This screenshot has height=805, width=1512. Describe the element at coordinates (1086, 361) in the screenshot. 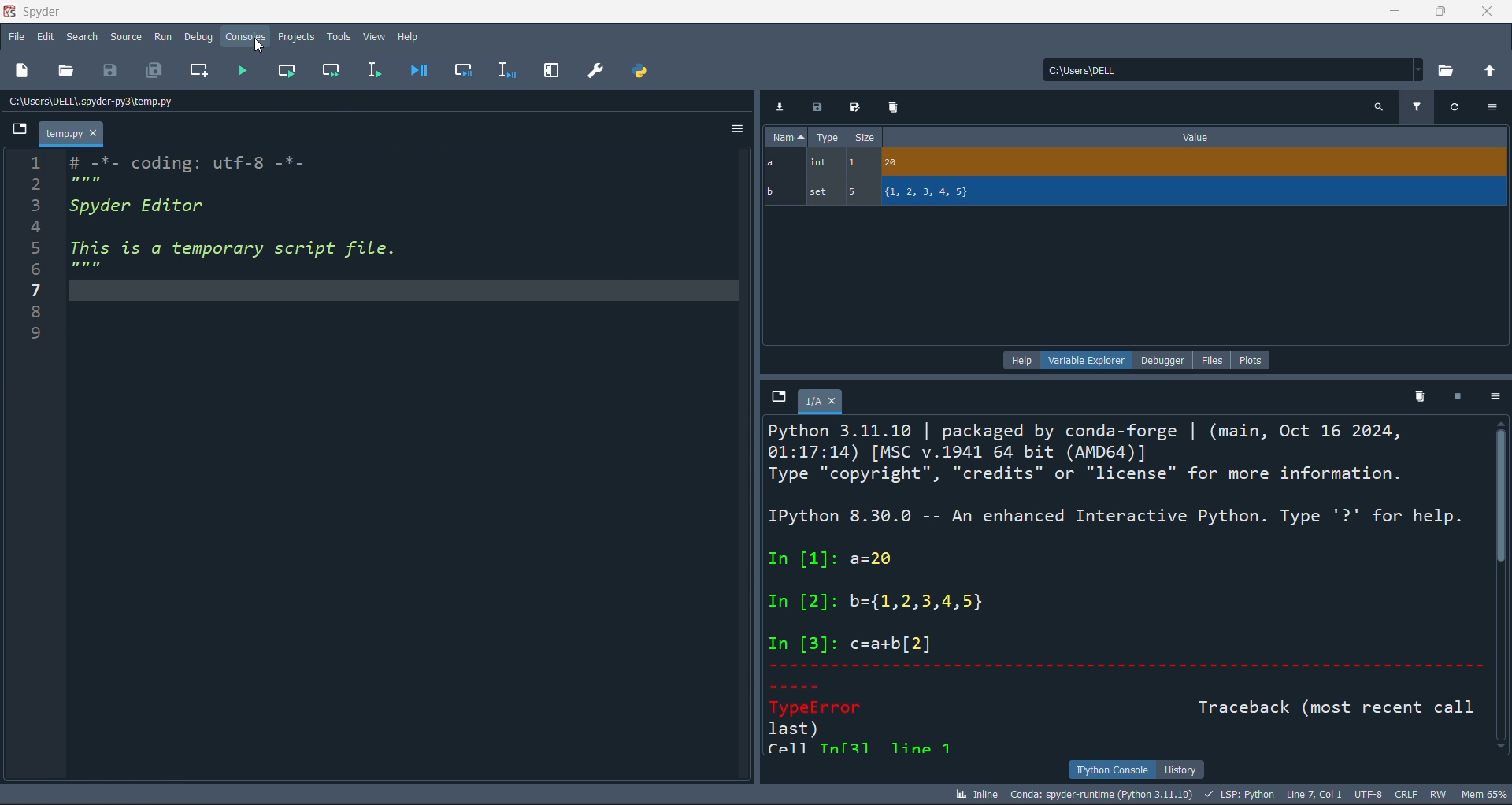

I see `variable explorer (current)` at that location.